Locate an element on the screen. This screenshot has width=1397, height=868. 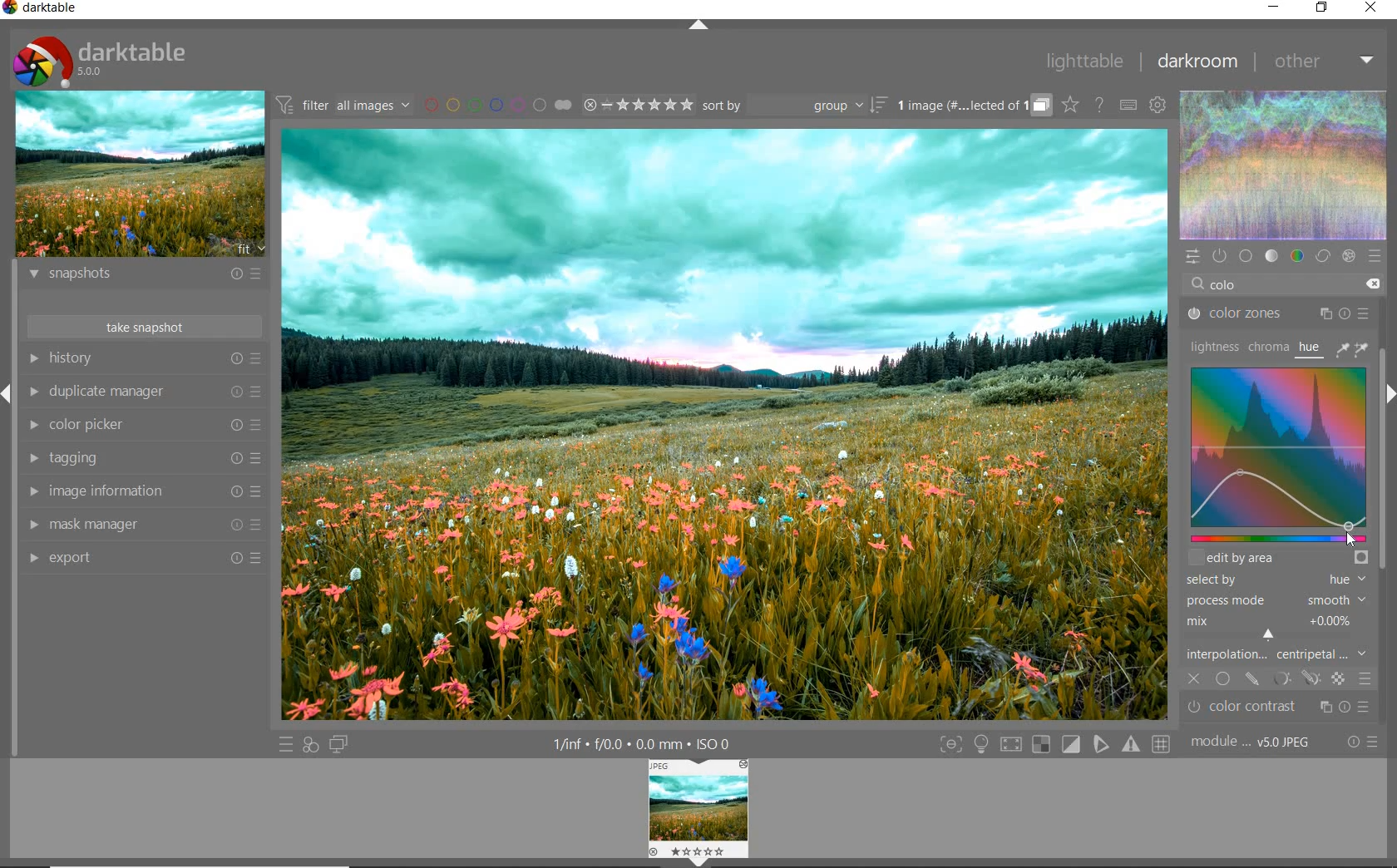
waveform is located at coordinates (1285, 165).